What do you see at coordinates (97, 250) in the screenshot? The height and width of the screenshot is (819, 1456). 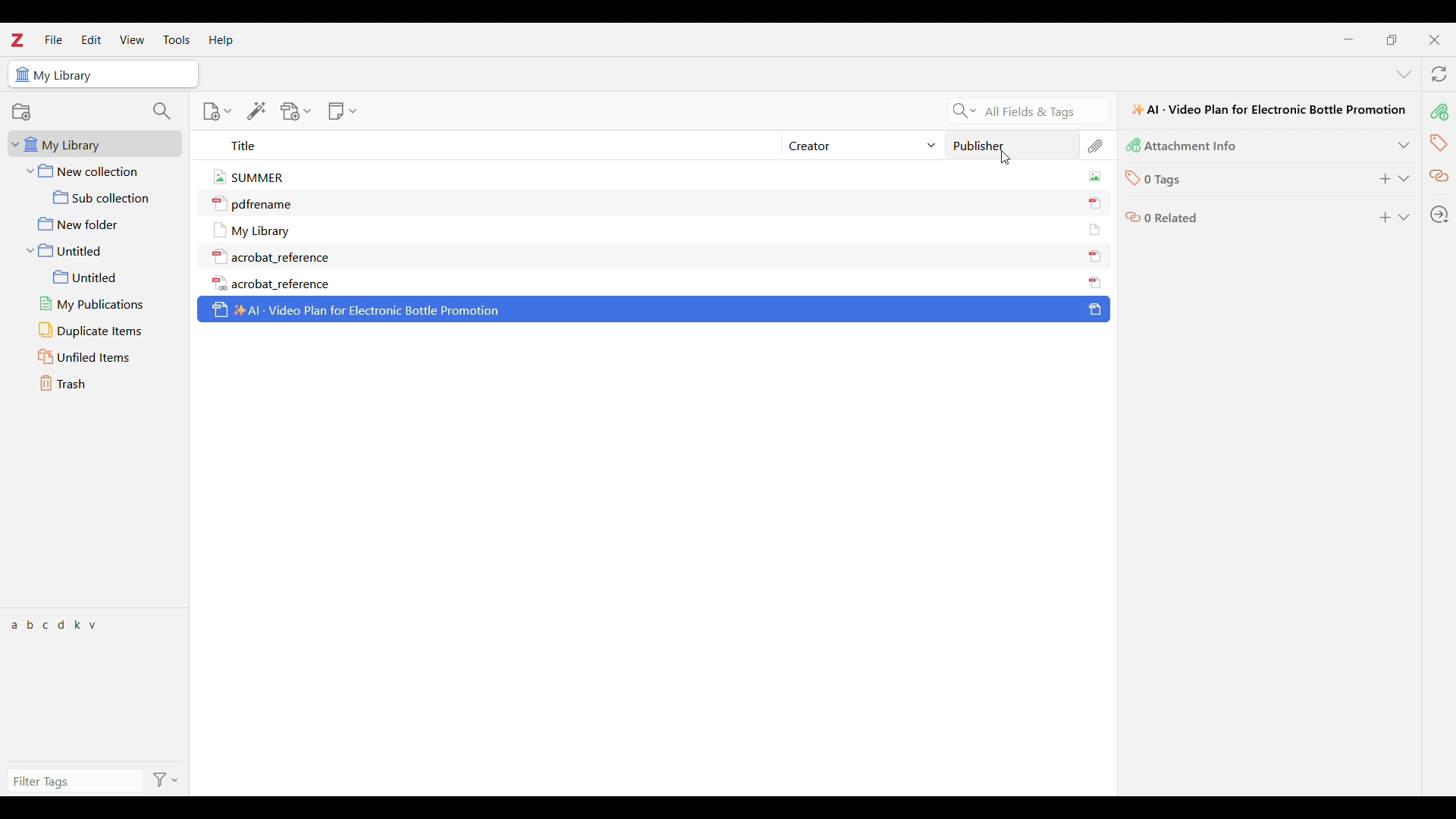 I see `Untitled` at bounding box center [97, 250].